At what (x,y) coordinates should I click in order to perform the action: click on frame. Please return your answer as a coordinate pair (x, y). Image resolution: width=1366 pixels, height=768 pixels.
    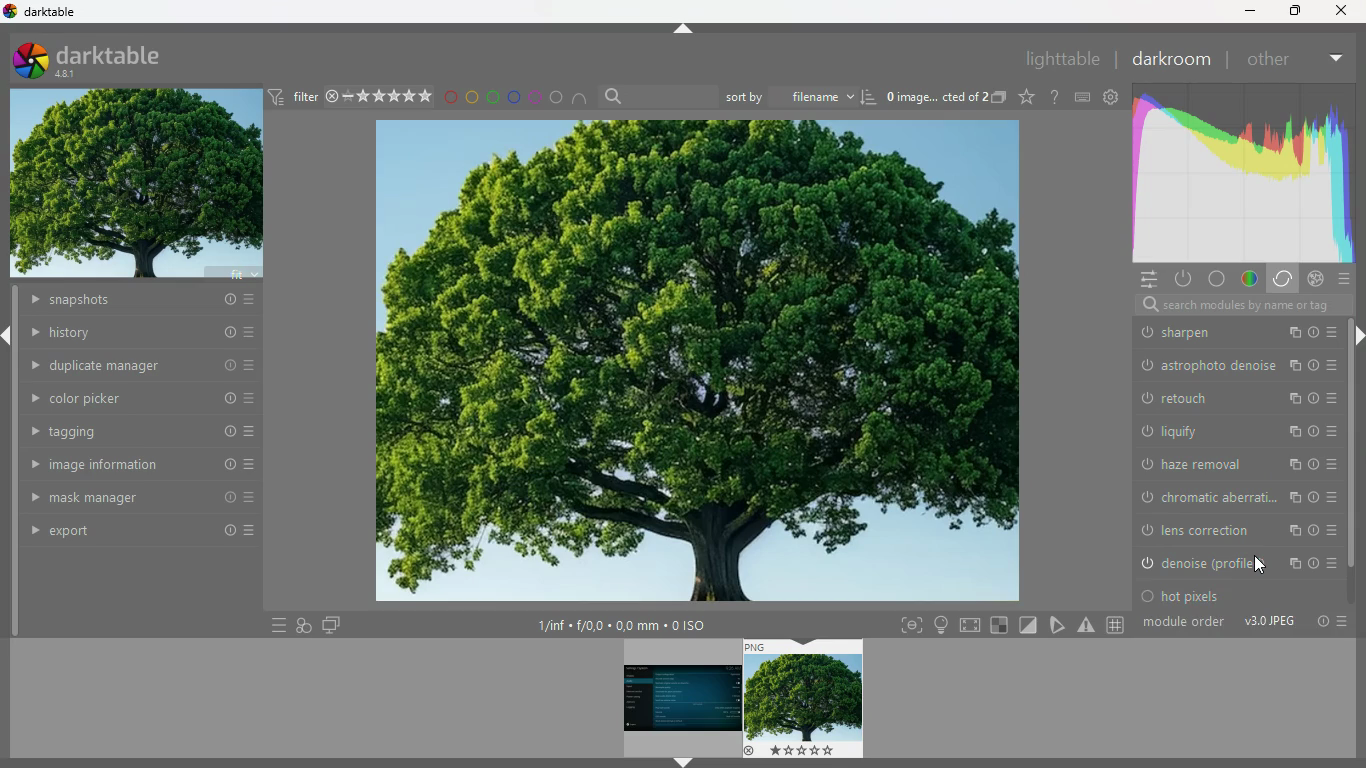
    Looking at the image, I should click on (911, 625).